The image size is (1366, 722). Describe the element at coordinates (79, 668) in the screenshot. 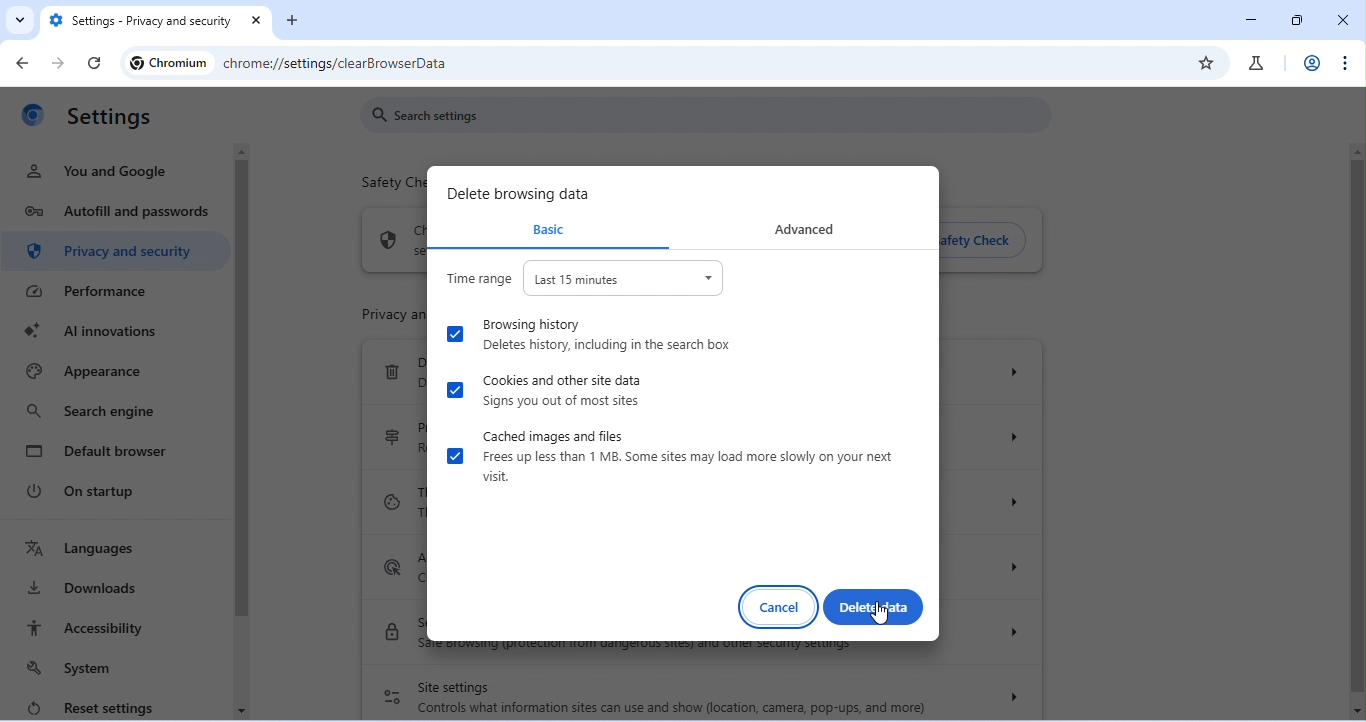

I see `system` at that location.